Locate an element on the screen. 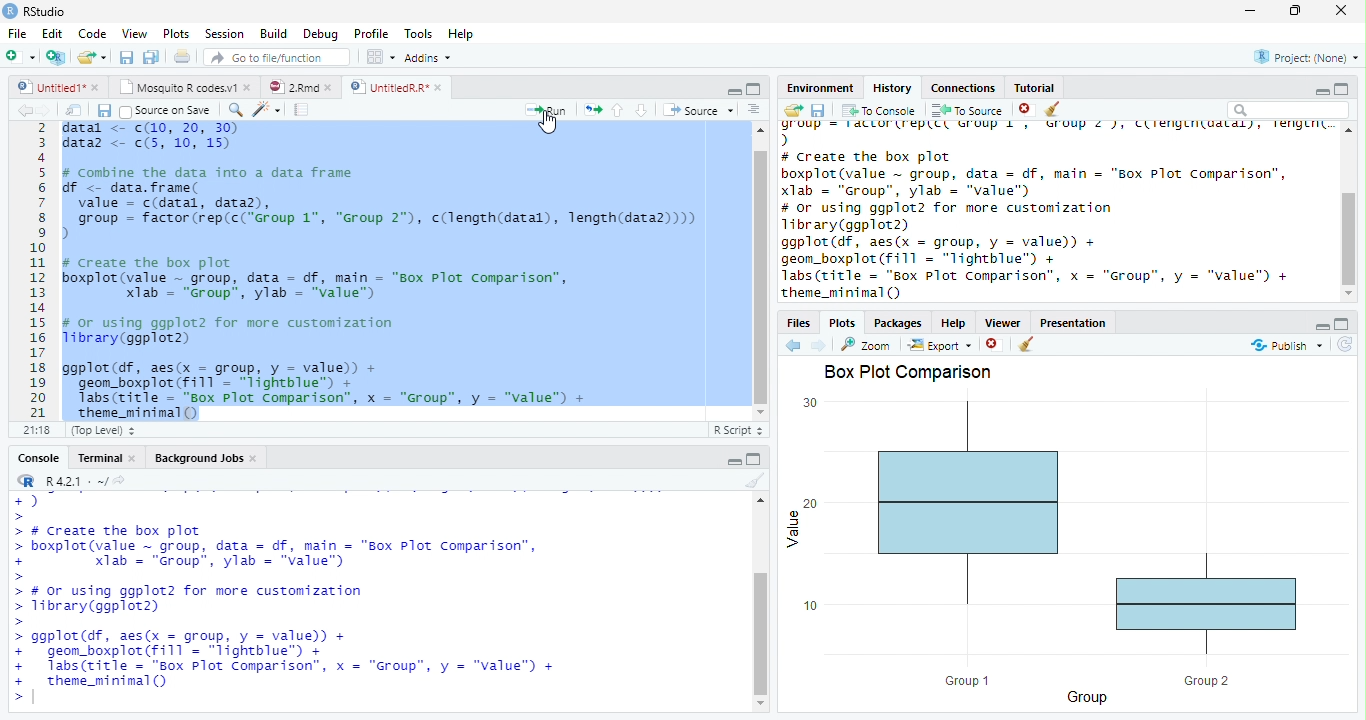  New file is located at coordinates (20, 57).